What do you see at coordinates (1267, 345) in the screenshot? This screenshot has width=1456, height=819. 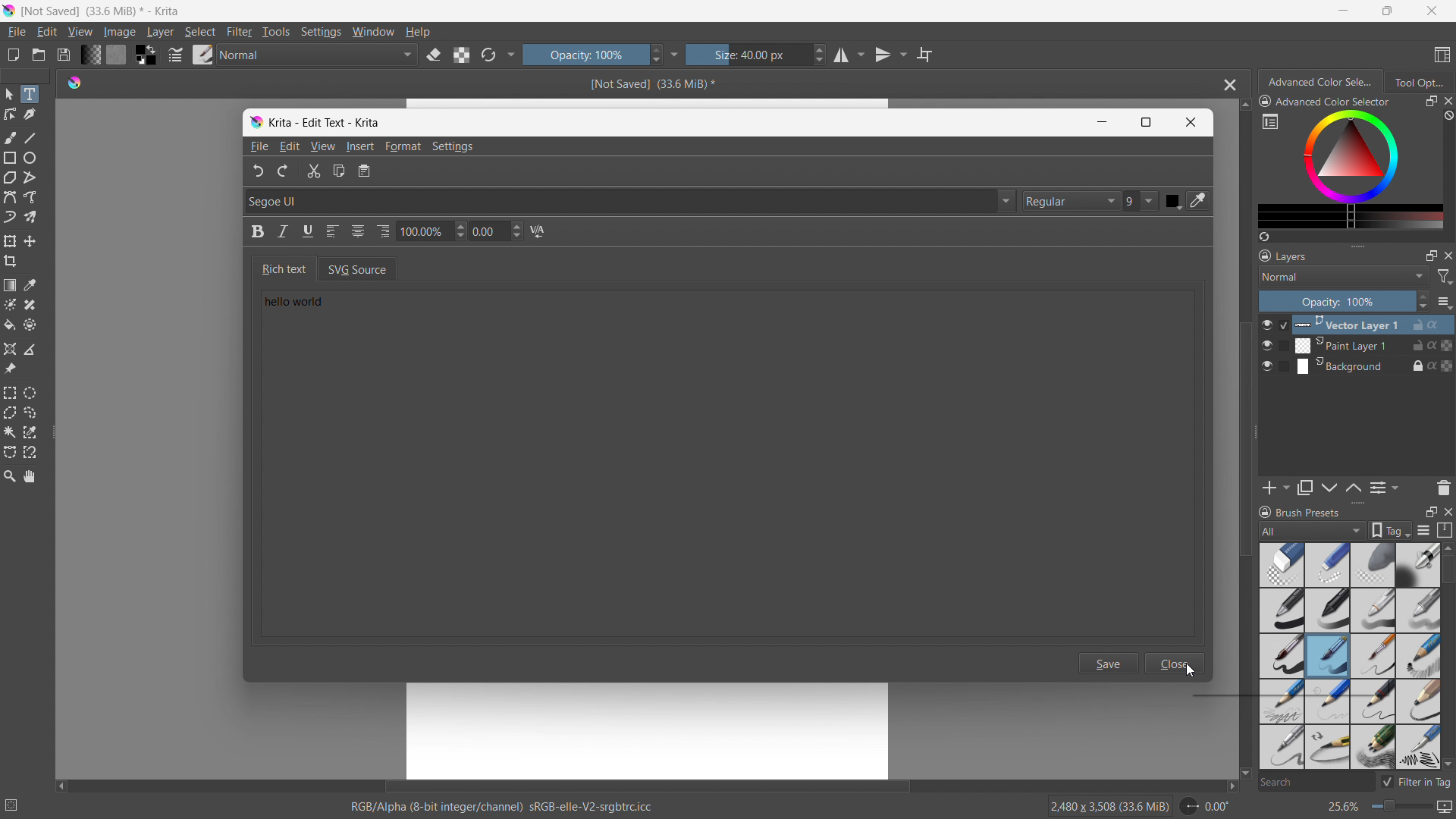 I see `layer visibility toggle` at bounding box center [1267, 345].